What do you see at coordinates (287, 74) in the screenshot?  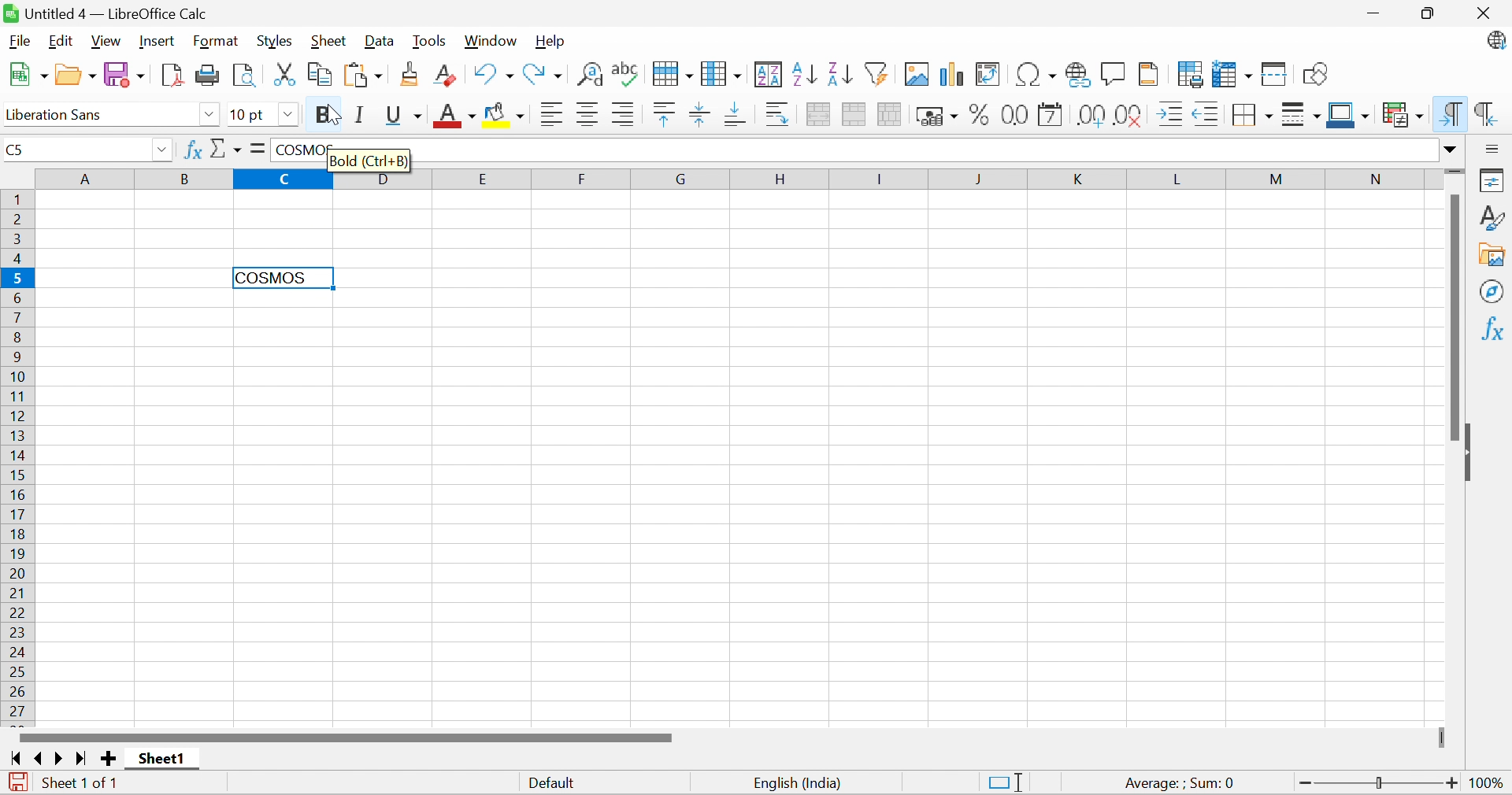 I see `Cut` at bounding box center [287, 74].